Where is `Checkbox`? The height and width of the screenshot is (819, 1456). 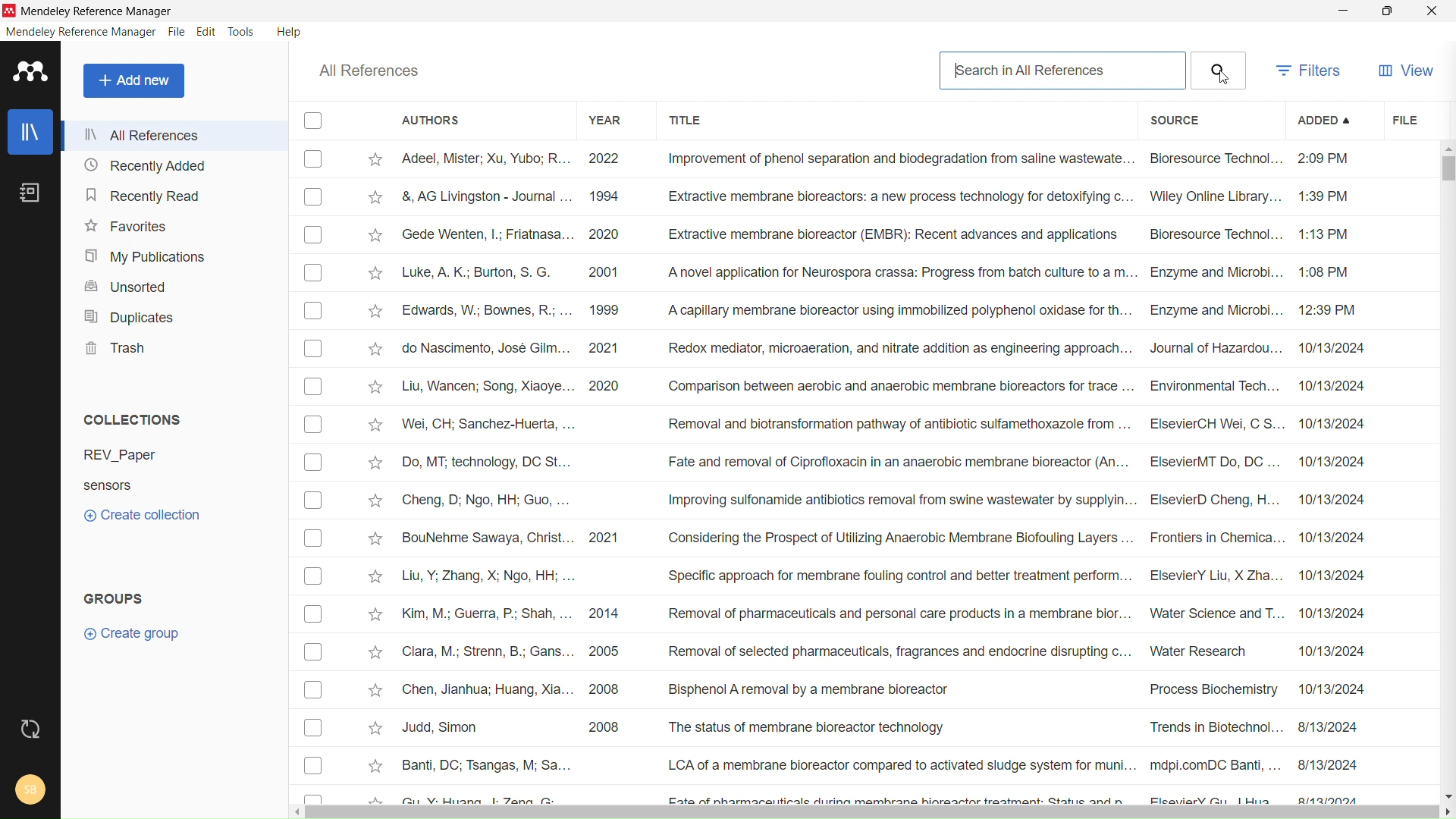
Checkbox is located at coordinates (312, 765).